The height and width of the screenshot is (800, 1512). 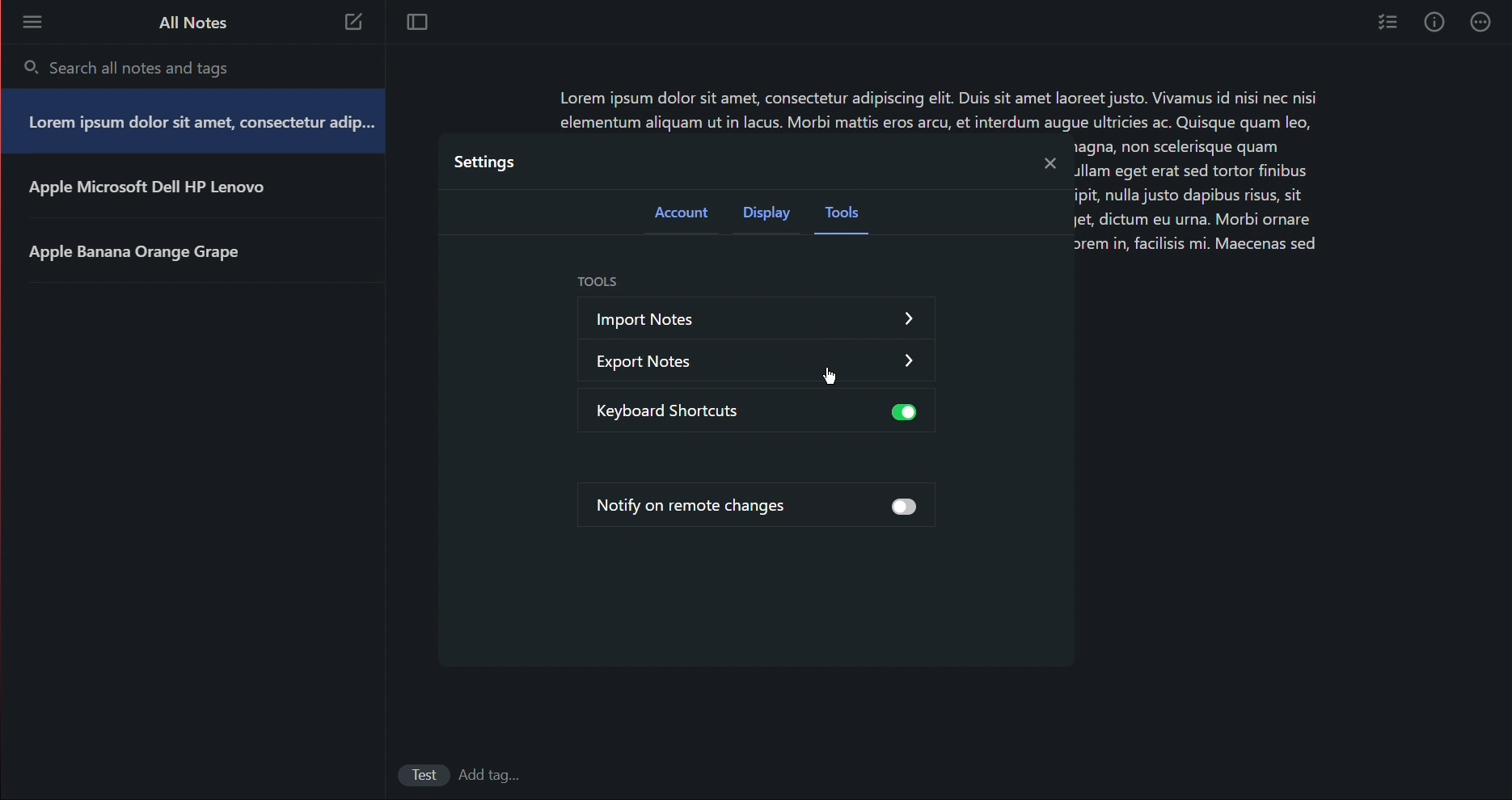 What do you see at coordinates (953, 110) in the screenshot?
I see `Lorem ipsum dolor sit amet, consectetur adipiscing elit. Duis sit amet laoreet justo. Vivamus id nisi nec nisi
elementum aliquam ut in lacus. Morbi mattis eros arcu, et interdum augue ultricies ac. Quisque quam leo,` at bounding box center [953, 110].